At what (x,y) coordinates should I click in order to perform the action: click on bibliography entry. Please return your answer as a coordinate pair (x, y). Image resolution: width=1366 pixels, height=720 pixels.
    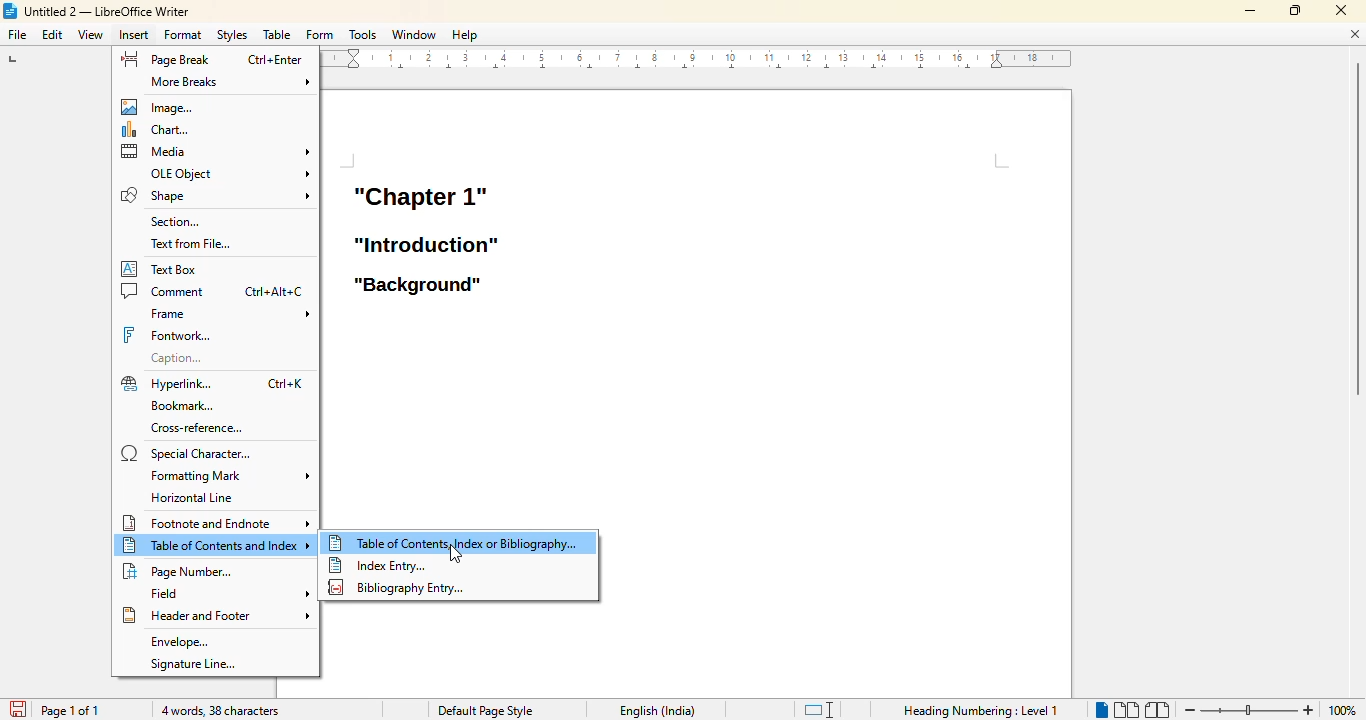
    Looking at the image, I should click on (397, 588).